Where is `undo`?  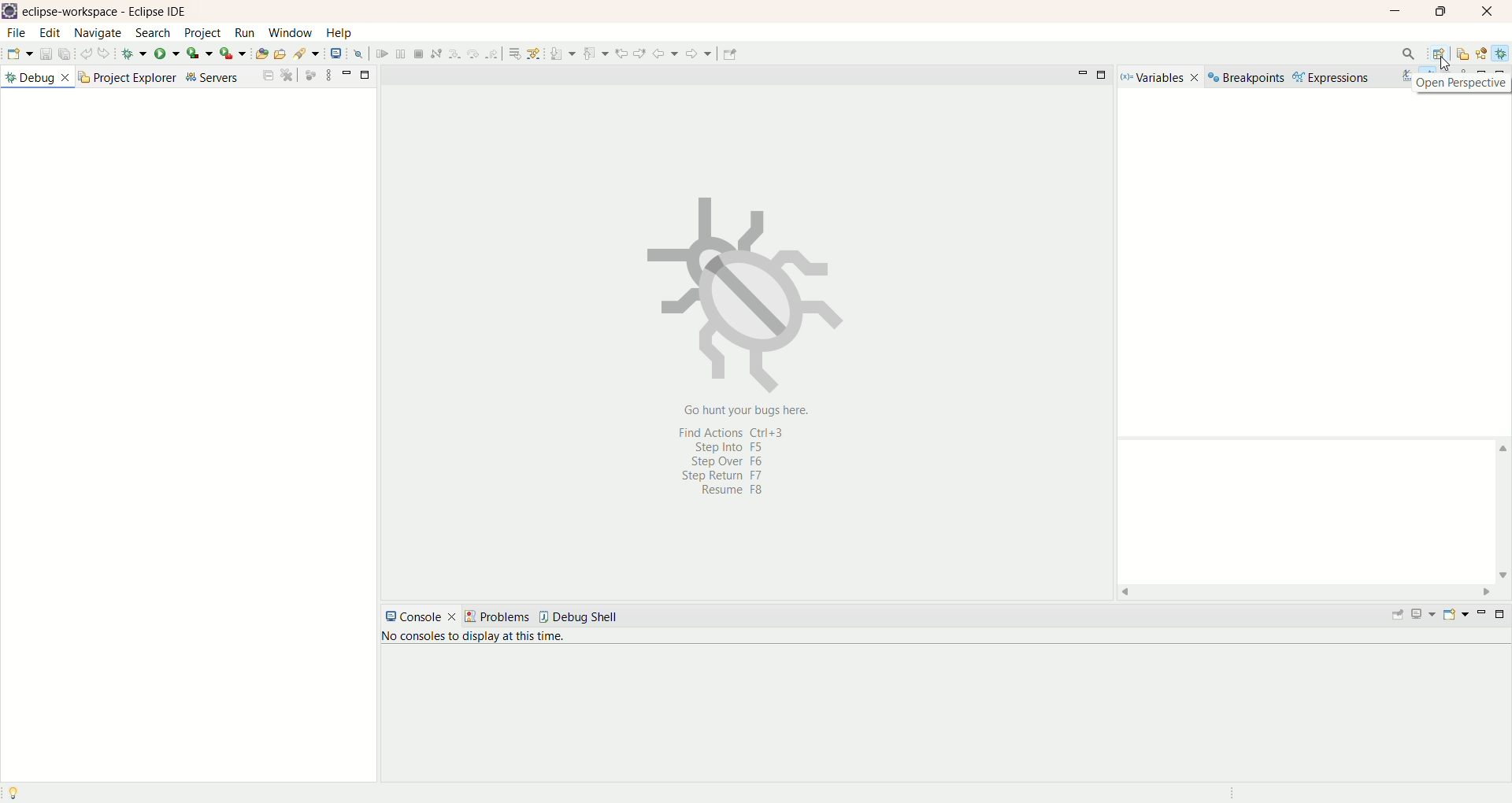
undo is located at coordinates (86, 54).